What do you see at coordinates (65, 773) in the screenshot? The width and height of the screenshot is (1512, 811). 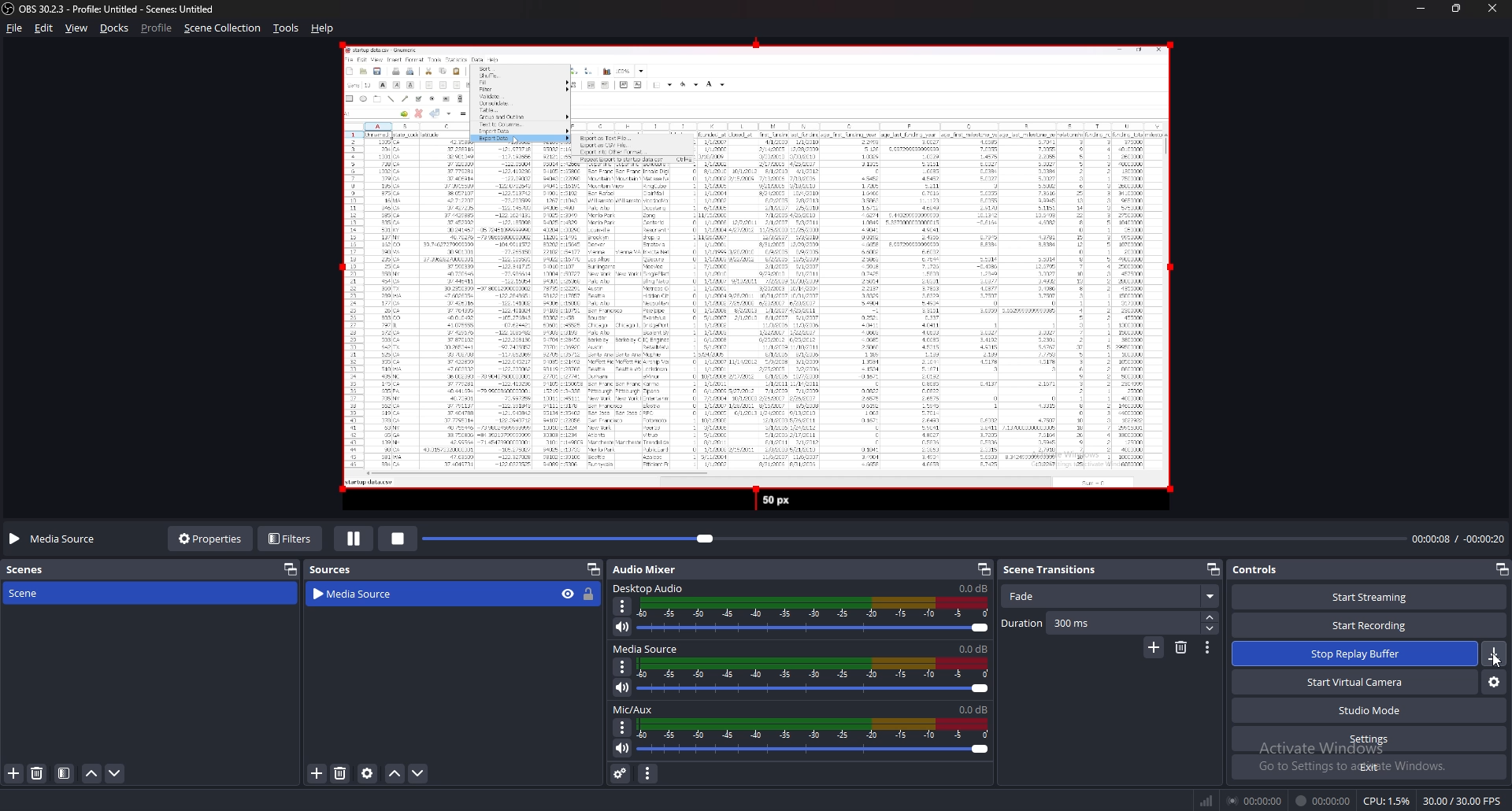 I see `filter` at bounding box center [65, 773].